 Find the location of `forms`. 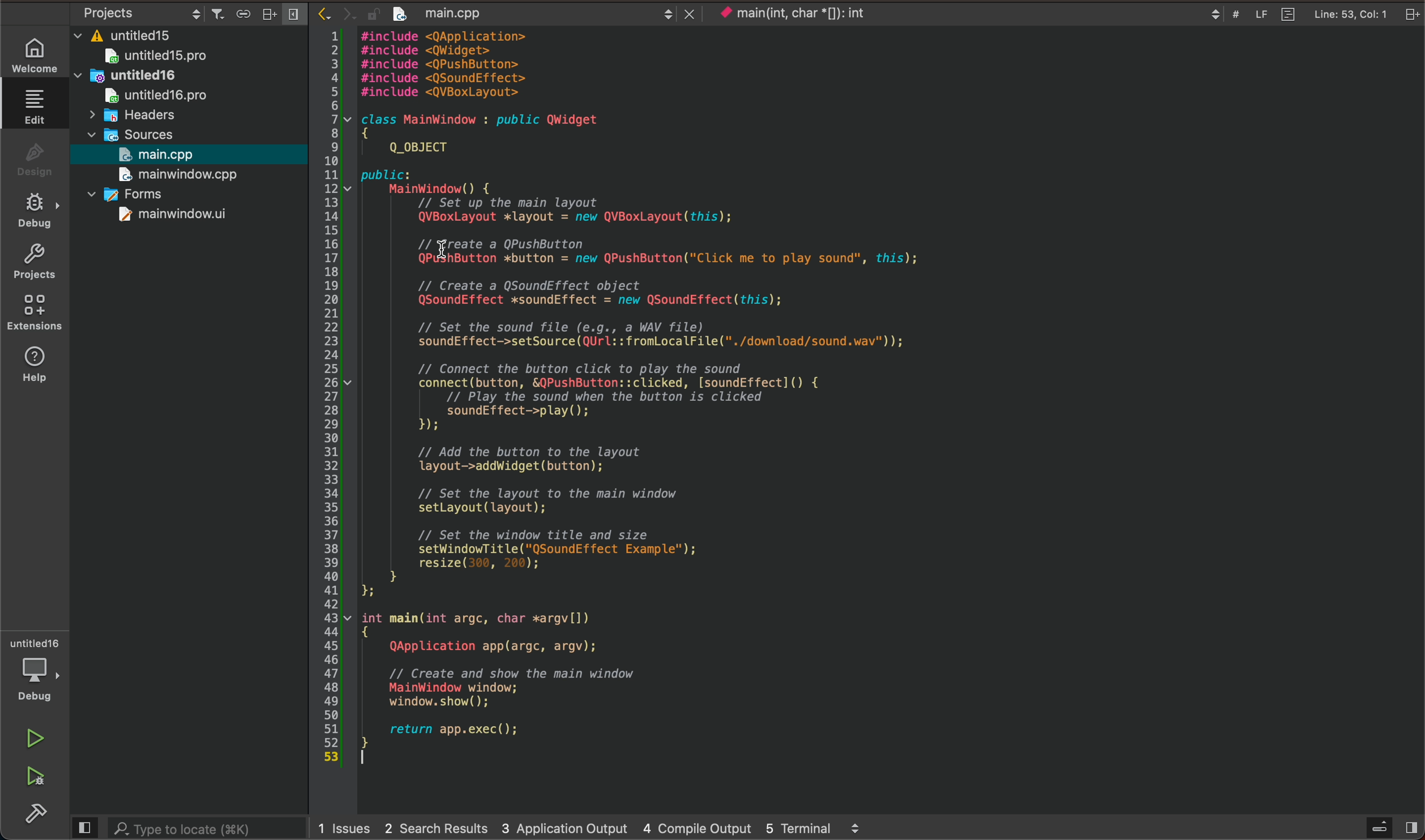

forms is located at coordinates (136, 192).